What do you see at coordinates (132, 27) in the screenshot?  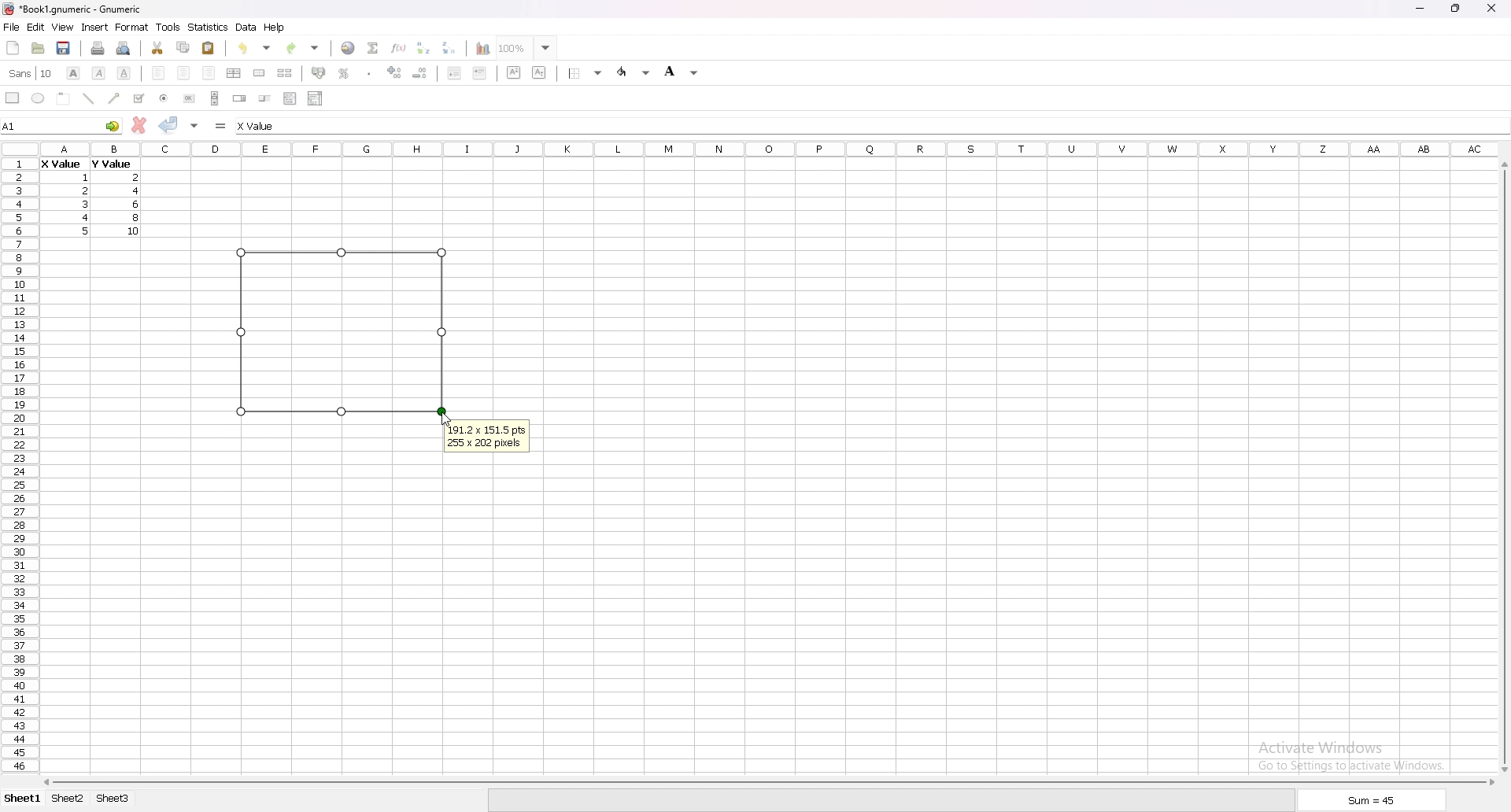 I see `format` at bounding box center [132, 27].